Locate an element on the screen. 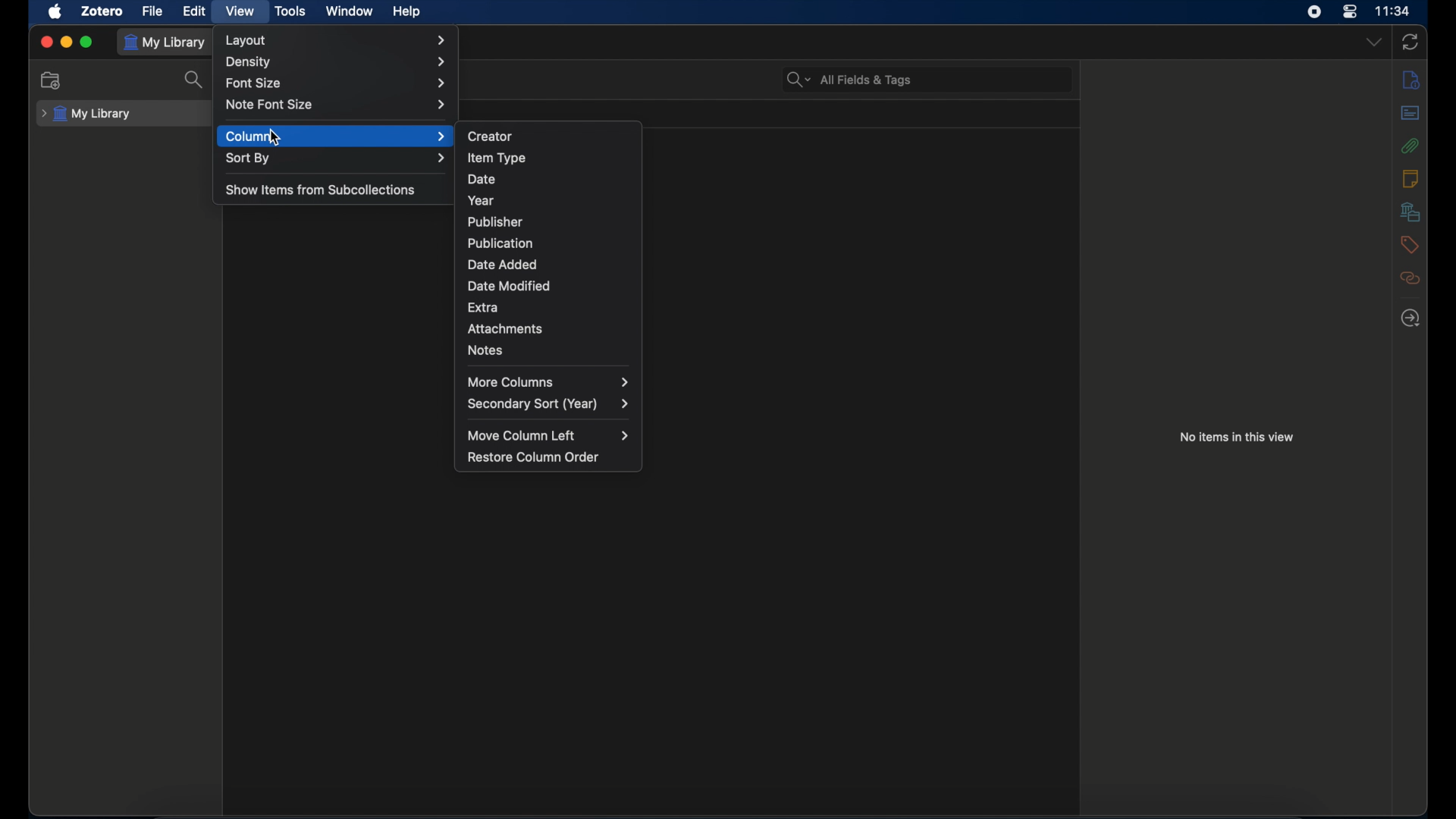 This screenshot has width=1456, height=819. font size is located at coordinates (340, 83).